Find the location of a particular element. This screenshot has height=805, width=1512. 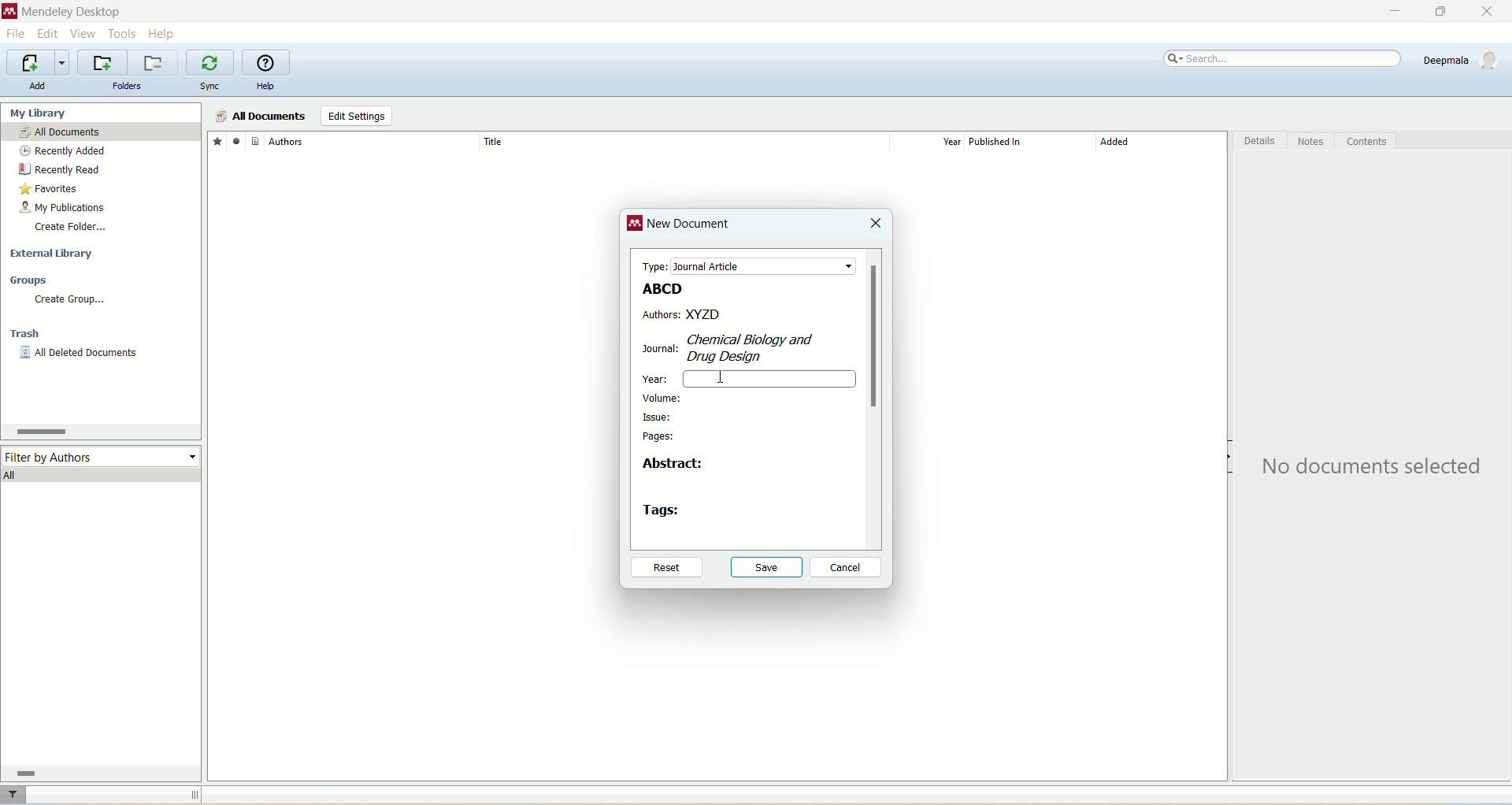

my library is located at coordinates (40, 113).